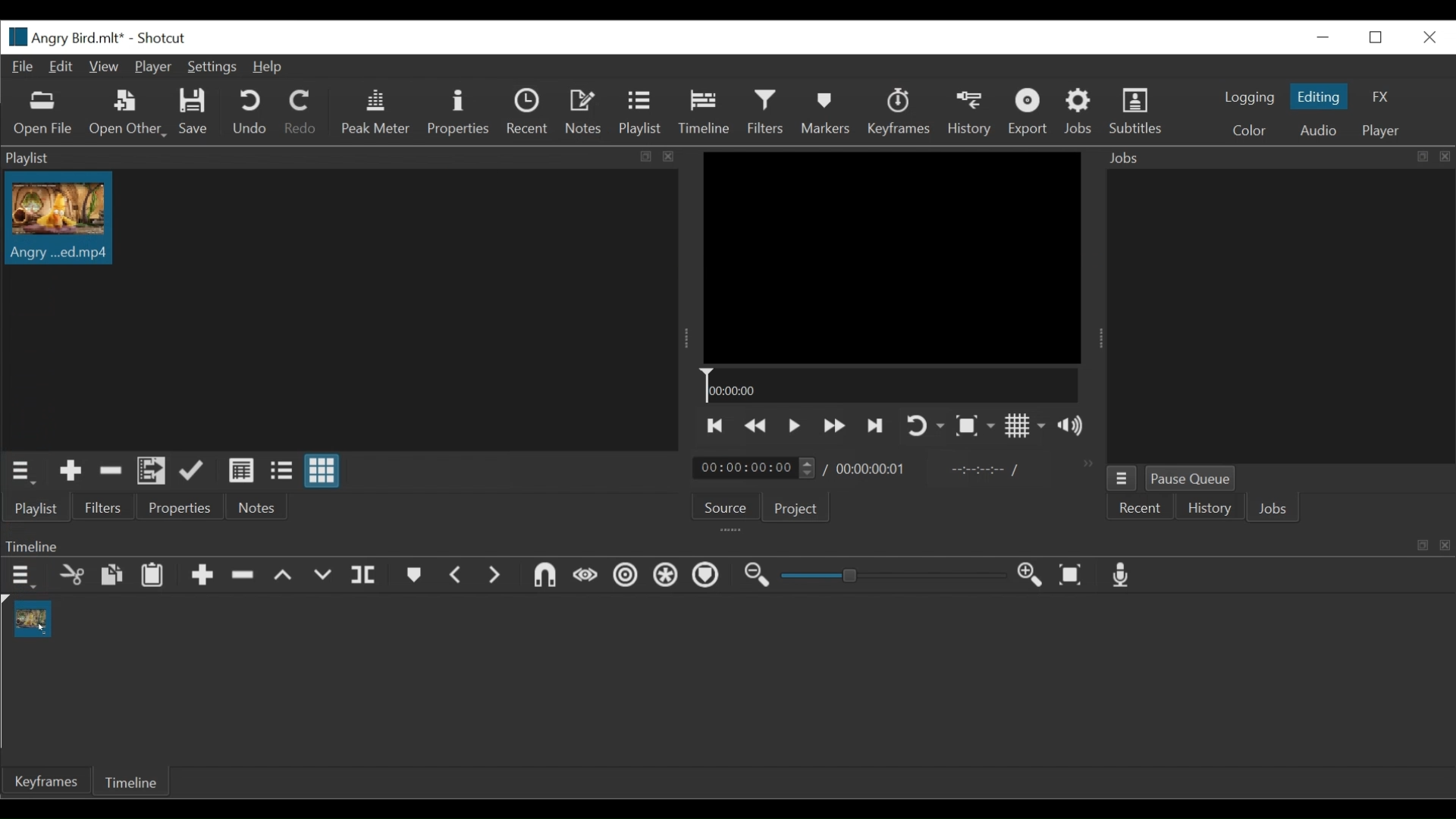  What do you see at coordinates (193, 471) in the screenshot?
I see `Update` at bounding box center [193, 471].